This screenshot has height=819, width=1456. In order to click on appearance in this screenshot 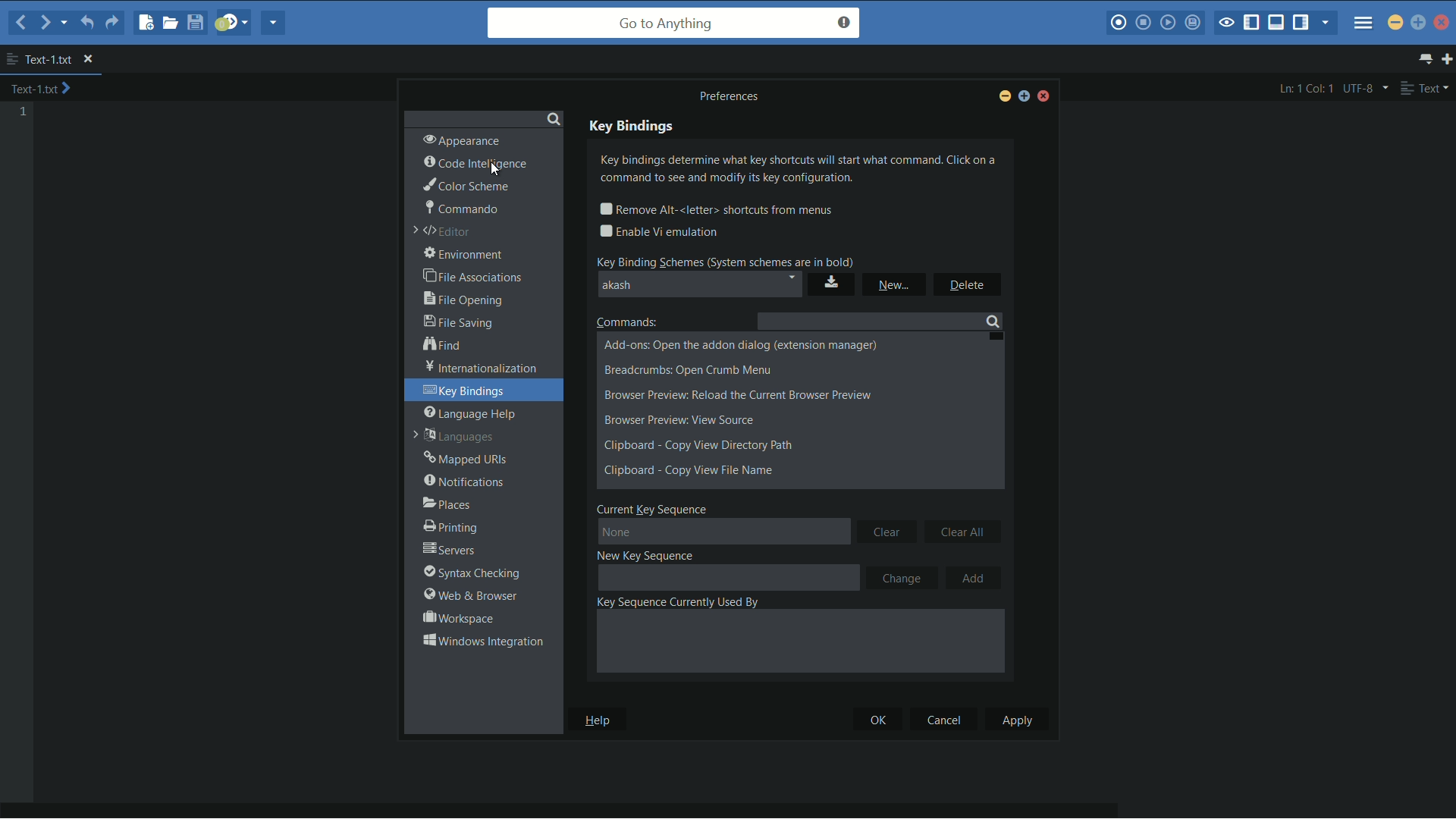, I will do `click(461, 140)`.